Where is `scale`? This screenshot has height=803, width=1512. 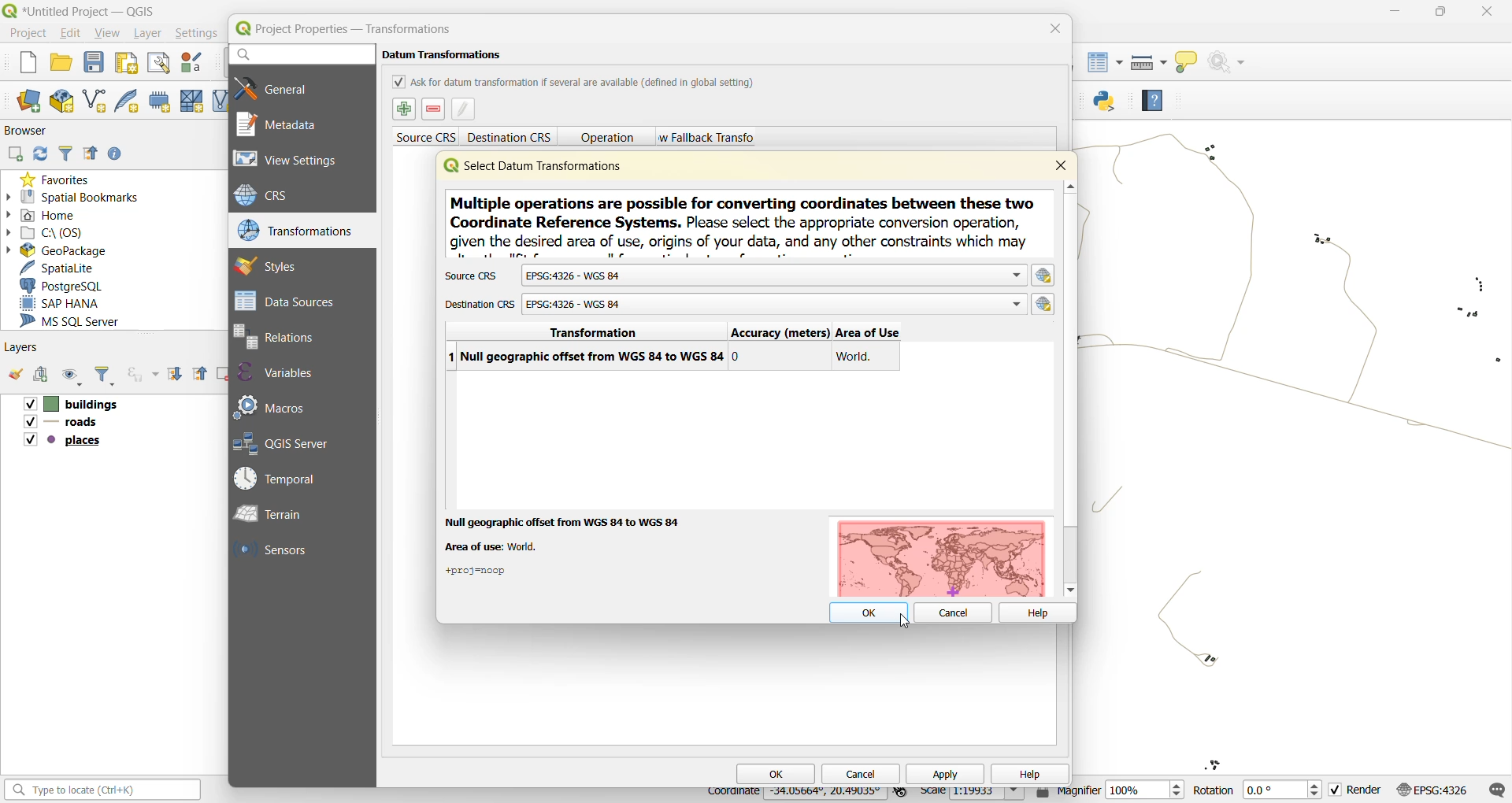 scale is located at coordinates (973, 794).